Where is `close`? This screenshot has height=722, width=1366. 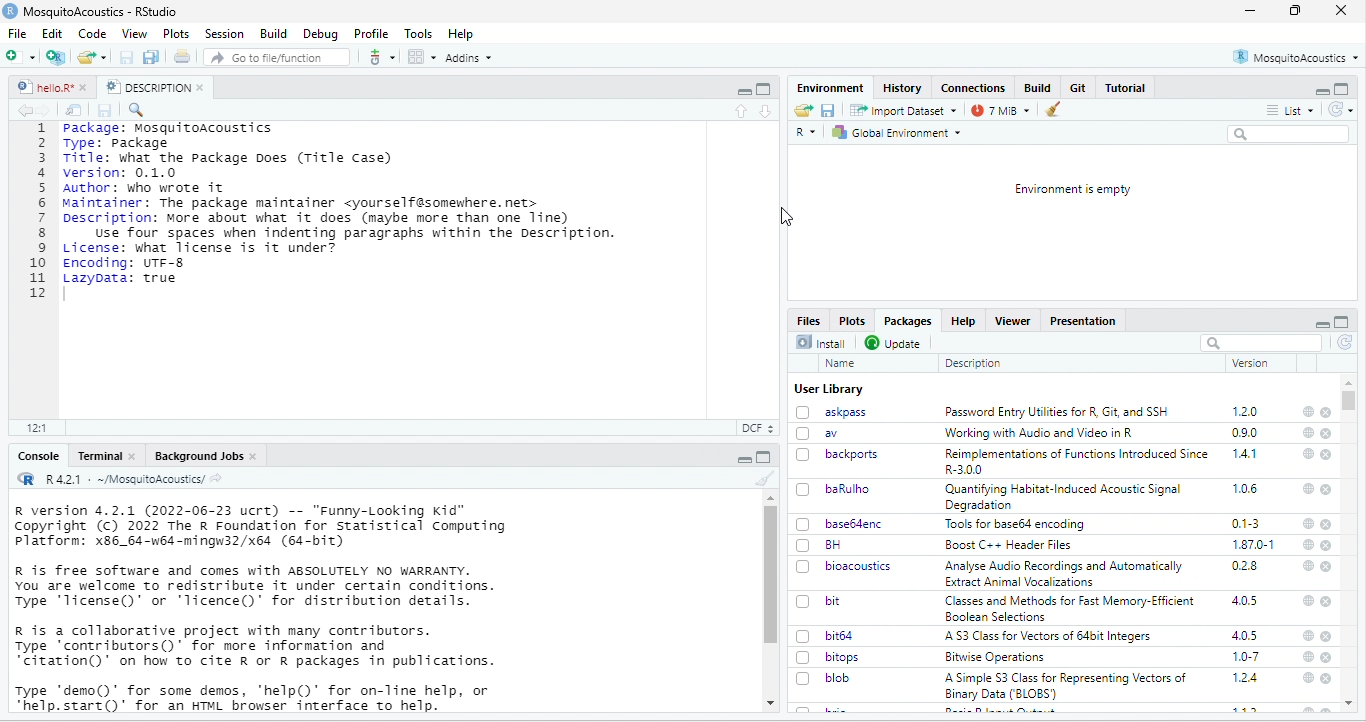
close is located at coordinates (1327, 659).